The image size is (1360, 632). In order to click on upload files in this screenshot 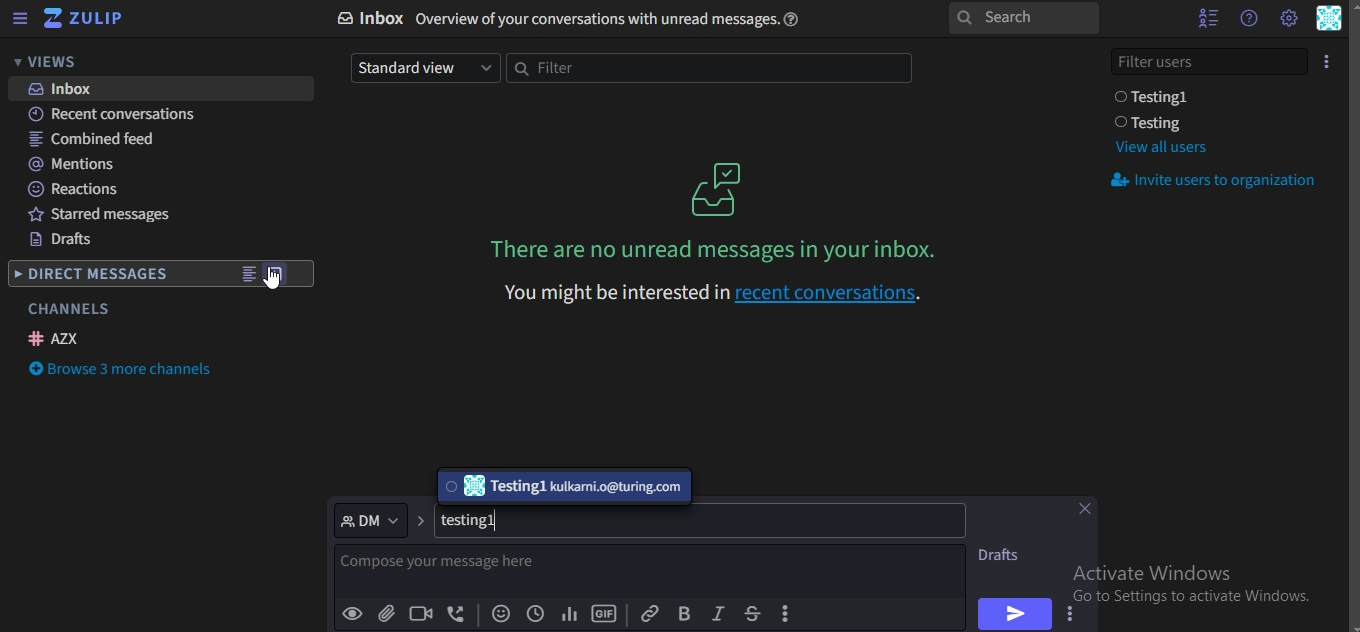, I will do `click(388, 615)`.